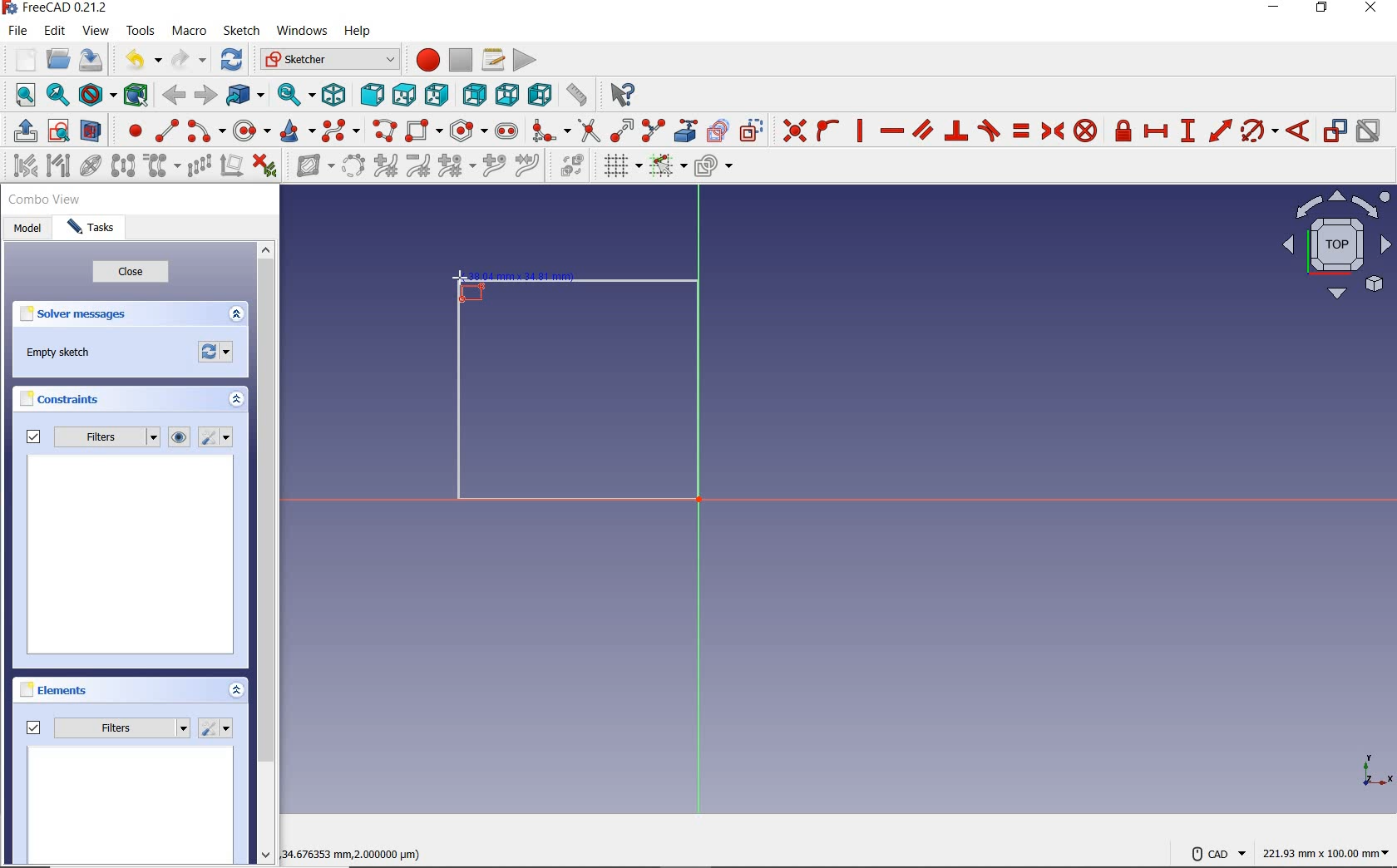 This screenshot has width=1397, height=868. Describe the element at coordinates (507, 132) in the screenshot. I see `create slot` at that location.